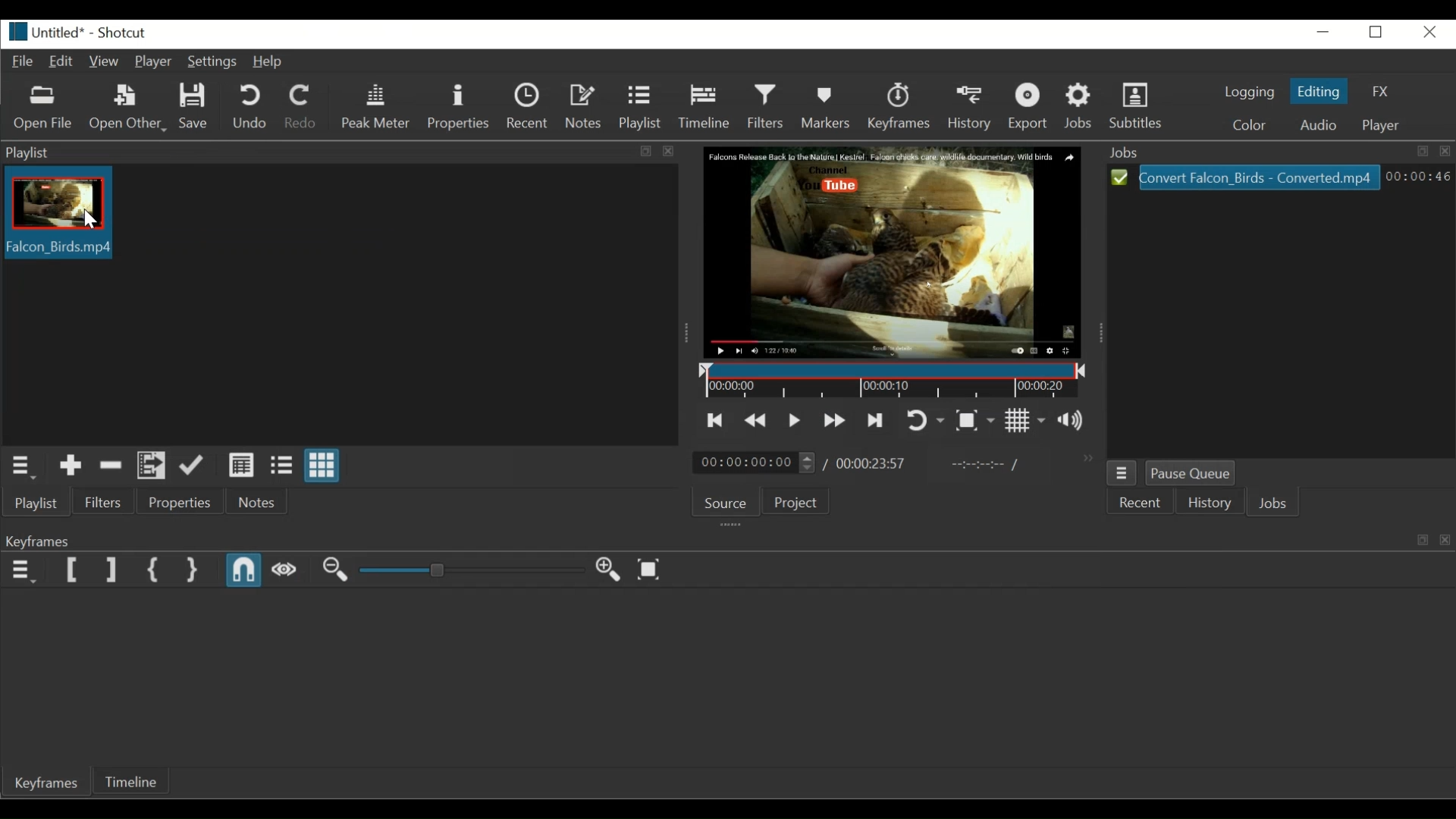  What do you see at coordinates (1075, 422) in the screenshot?
I see `Show the volume control` at bounding box center [1075, 422].